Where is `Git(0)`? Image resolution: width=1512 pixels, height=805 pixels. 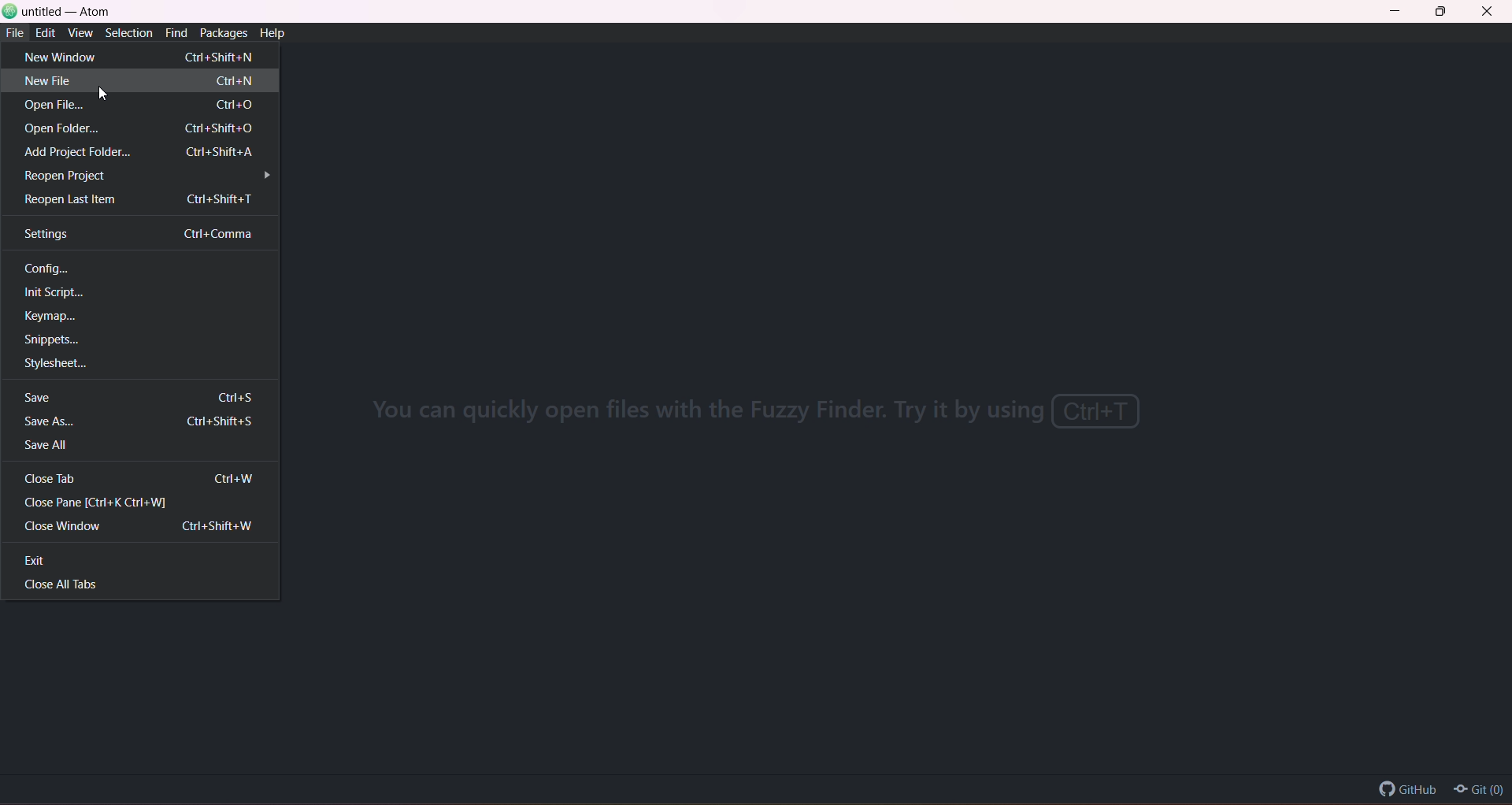 Git(0) is located at coordinates (1480, 791).